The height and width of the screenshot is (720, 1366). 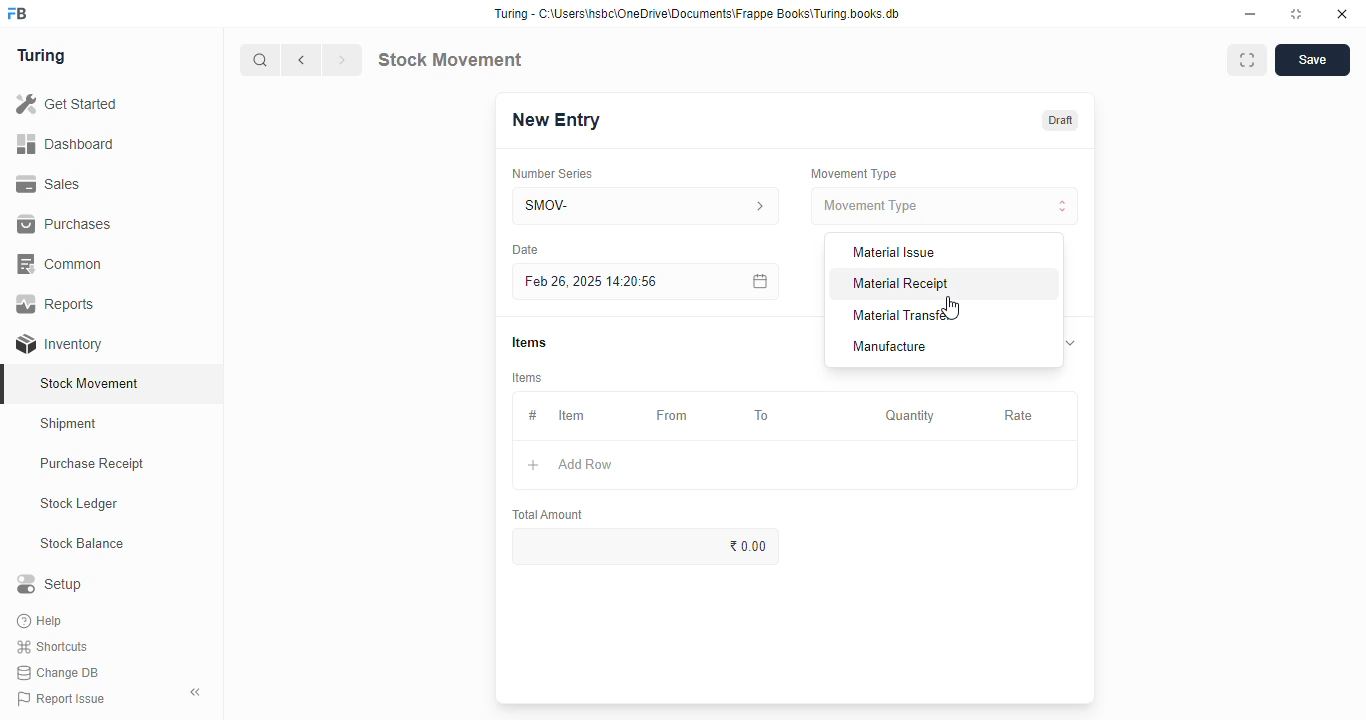 What do you see at coordinates (1247, 60) in the screenshot?
I see `toggle between form and full width` at bounding box center [1247, 60].